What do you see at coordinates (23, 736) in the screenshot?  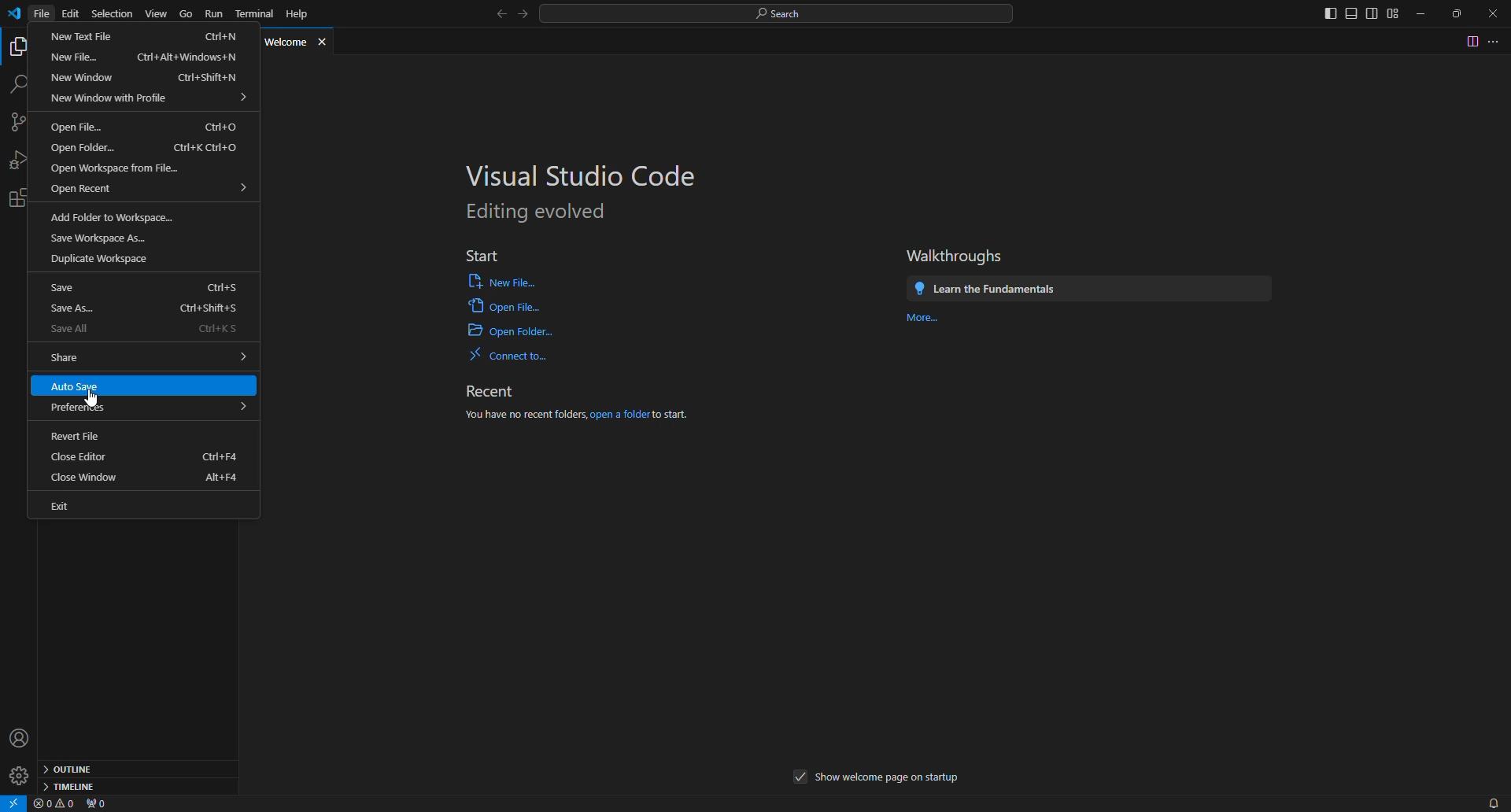 I see `accounts` at bounding box center [23, 736].